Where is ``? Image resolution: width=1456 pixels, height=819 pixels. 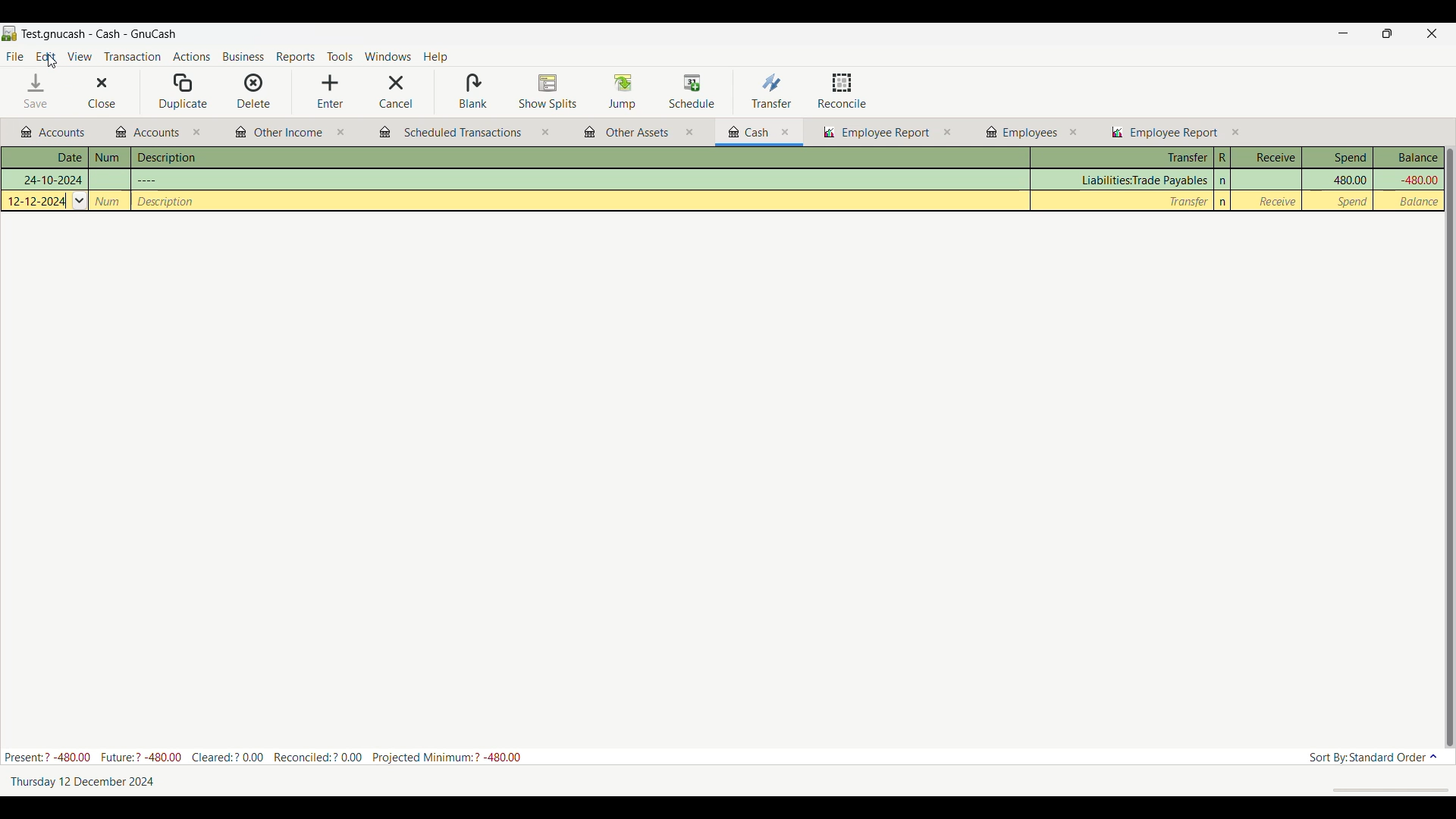
 is located at coordinates (108, 201).